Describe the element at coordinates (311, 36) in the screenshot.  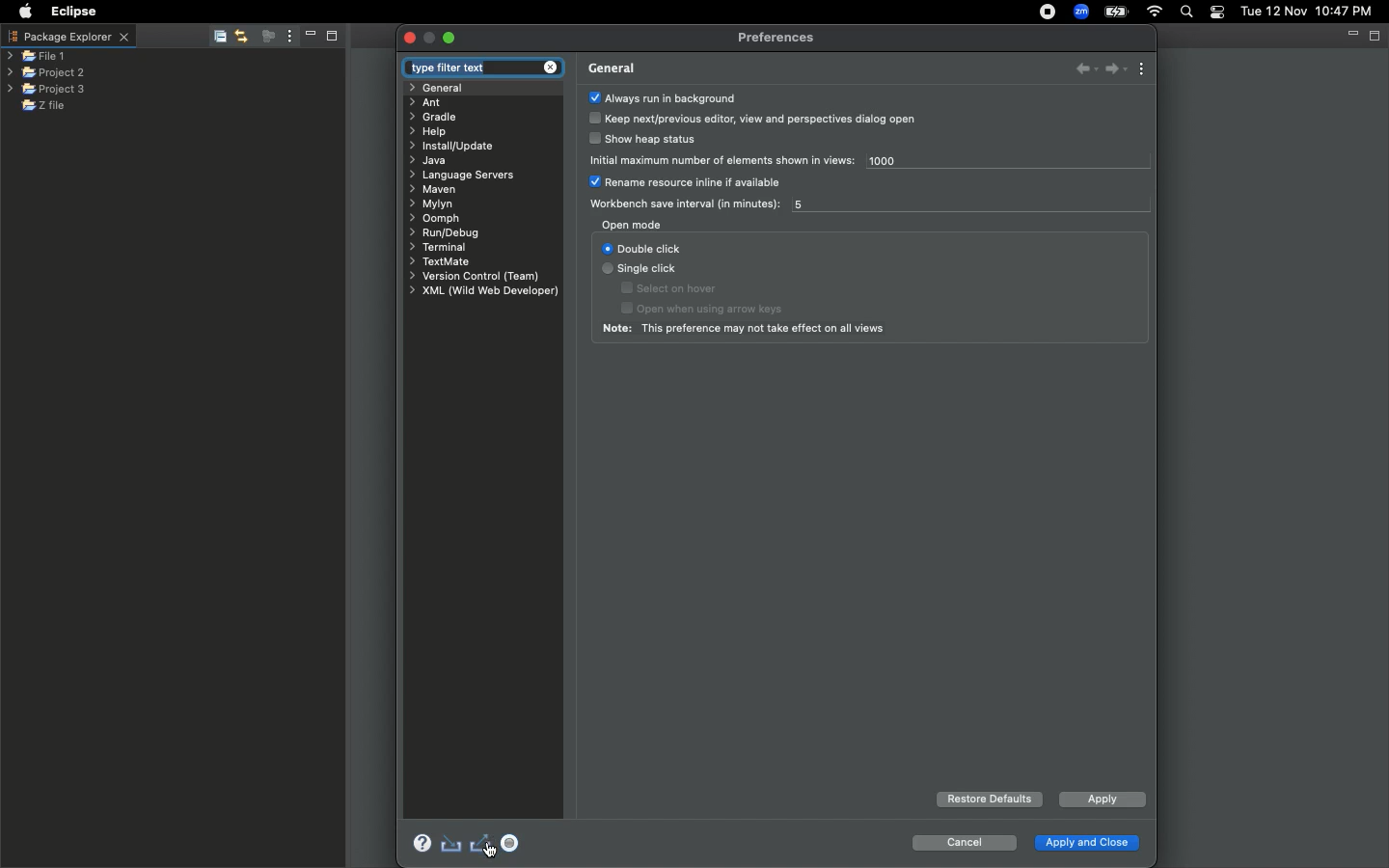
I see `Minimize` at that location.